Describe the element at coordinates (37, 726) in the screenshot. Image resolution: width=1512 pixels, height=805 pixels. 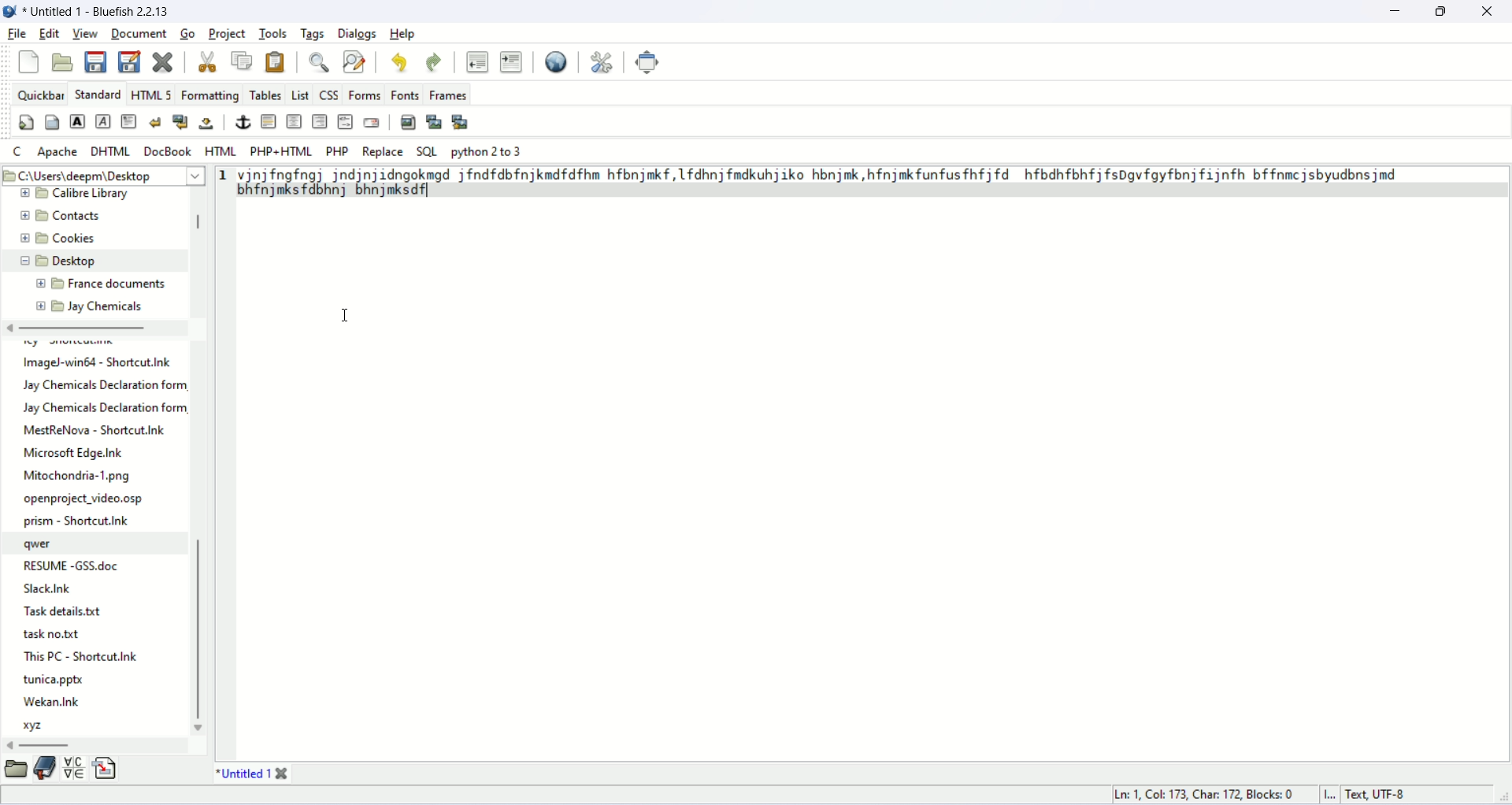
I see `xyz` at that location.